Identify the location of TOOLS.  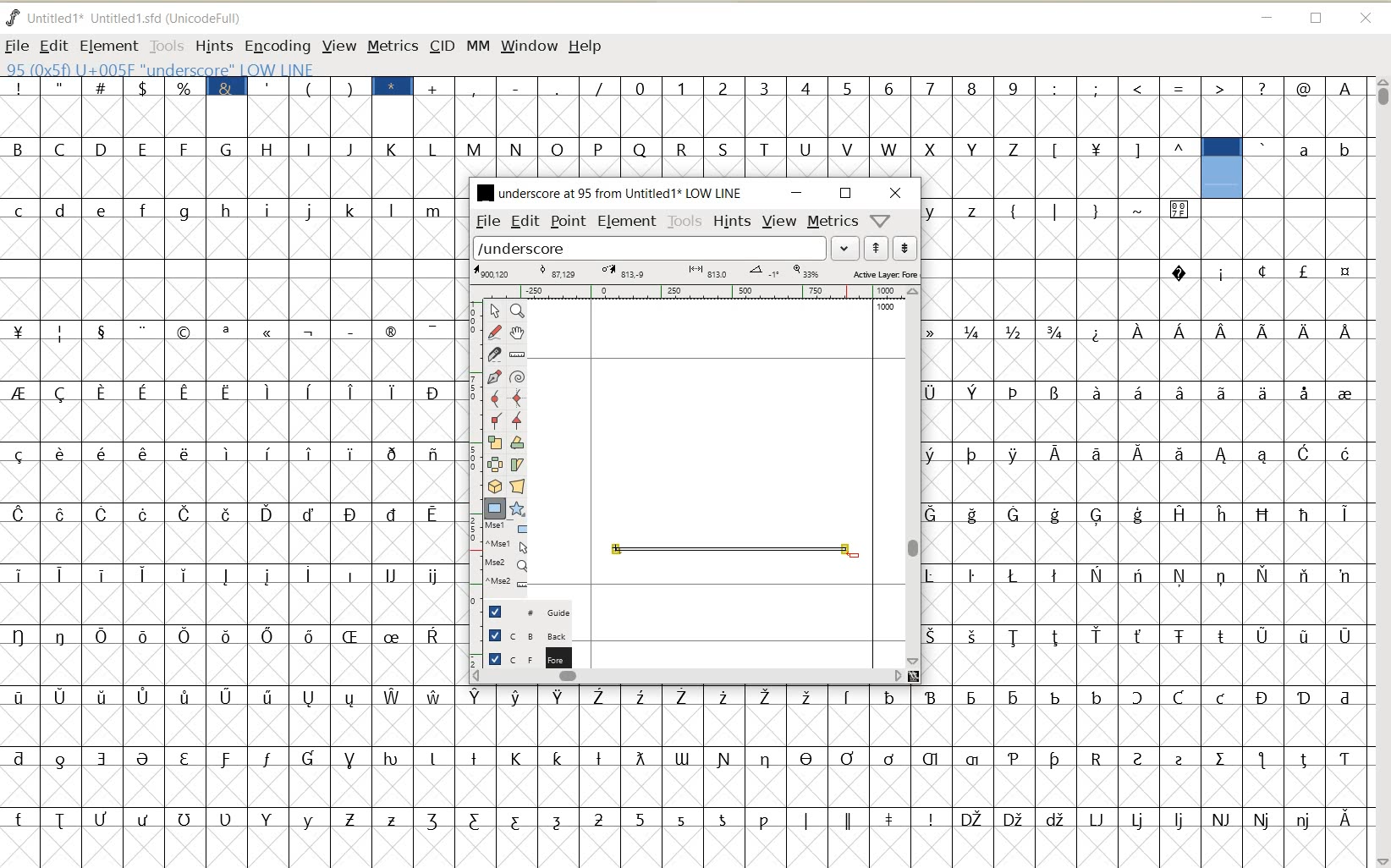
(165, 45).